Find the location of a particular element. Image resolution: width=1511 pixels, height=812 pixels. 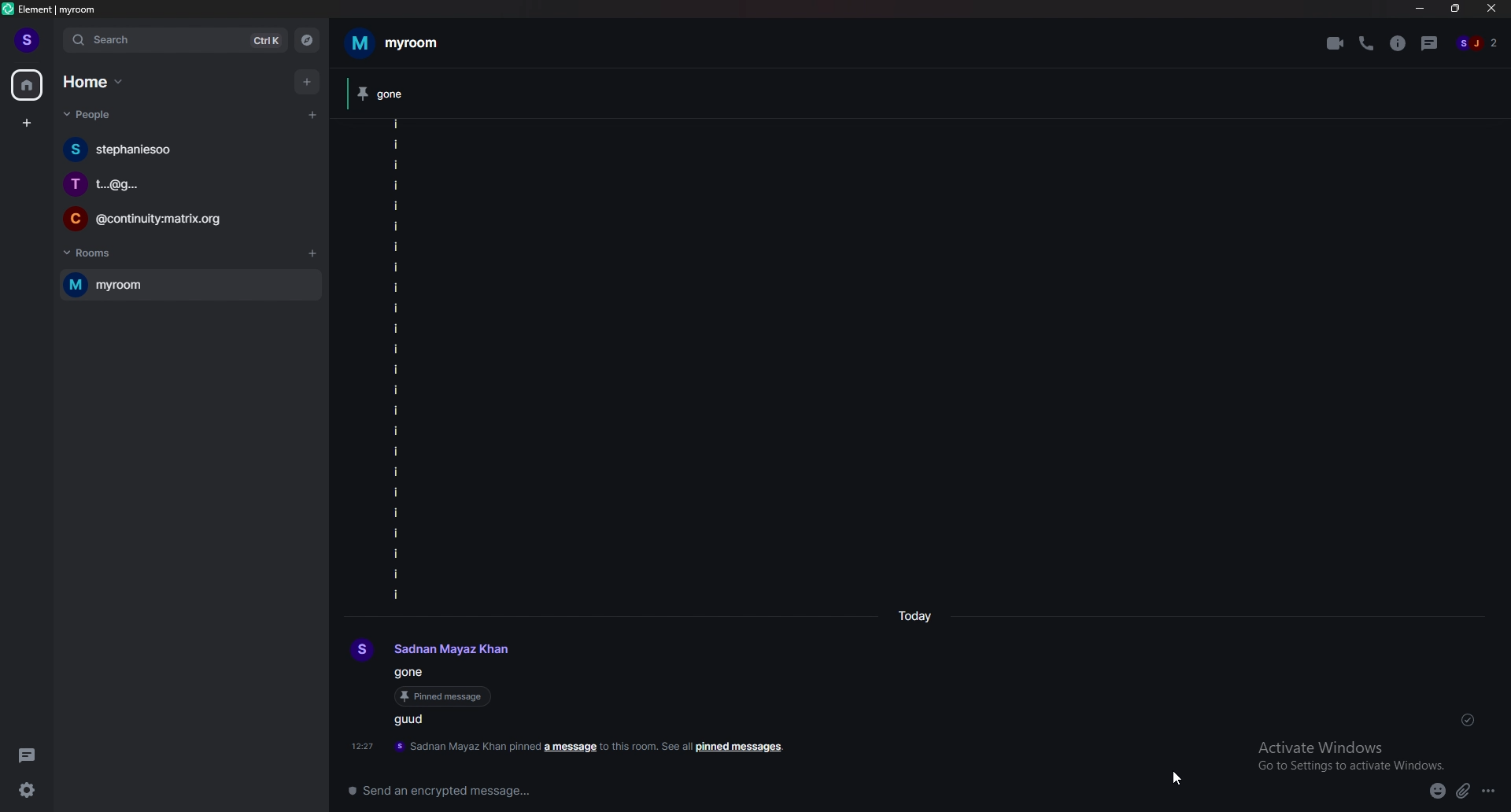

home is located at coordinates (93, 82).